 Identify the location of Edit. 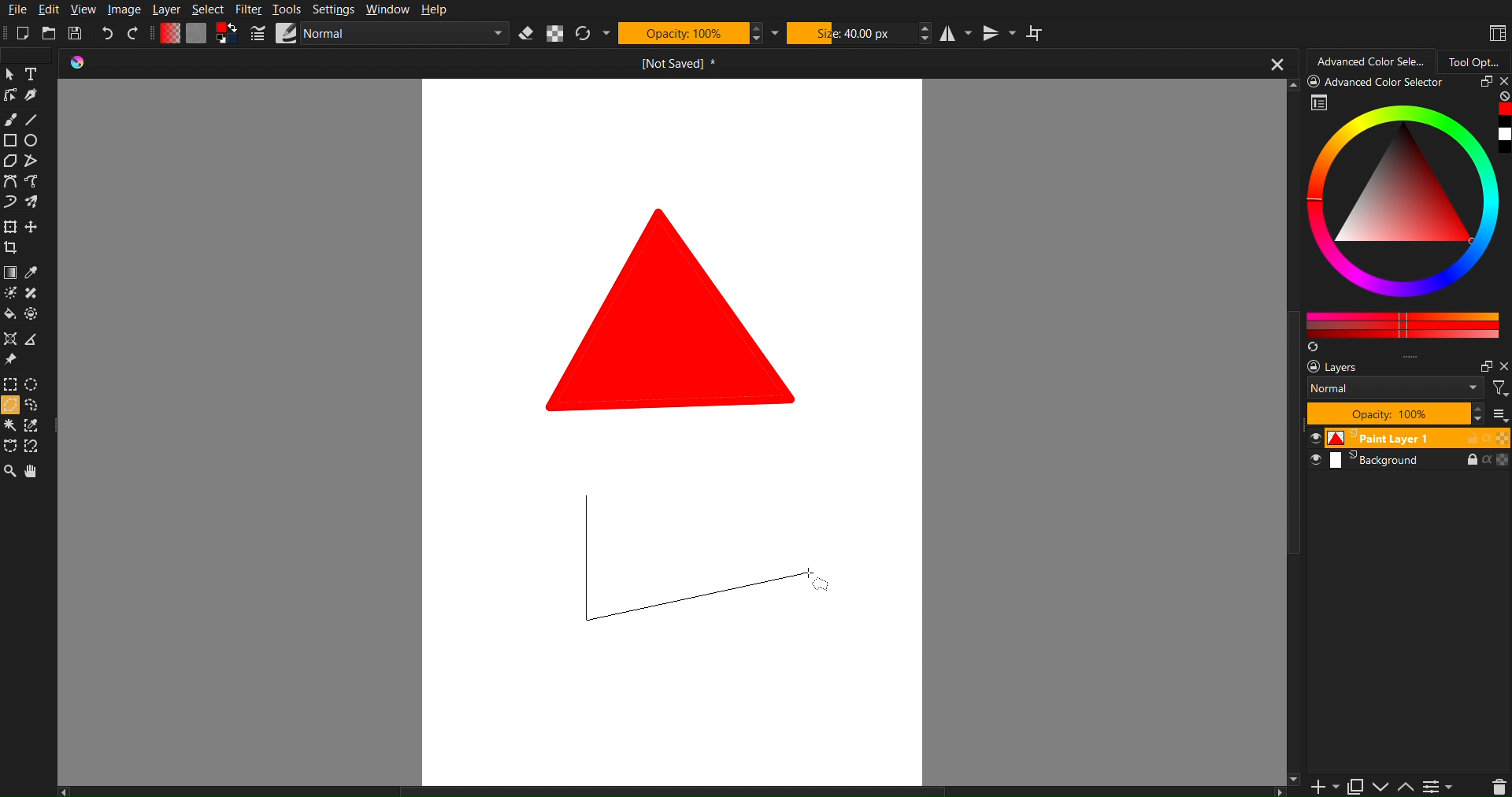
(48, 9).